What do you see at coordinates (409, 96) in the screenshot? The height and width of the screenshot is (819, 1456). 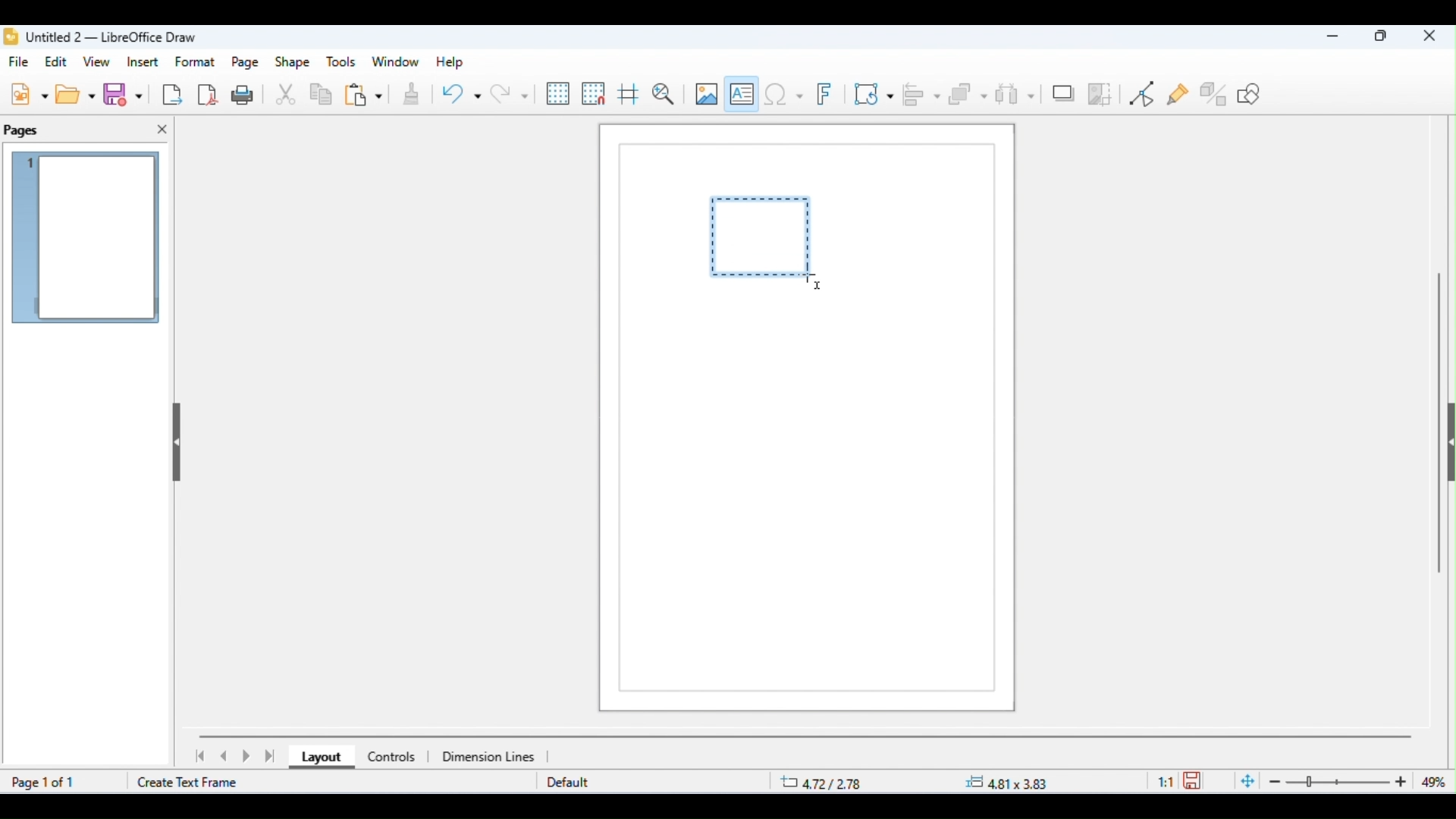 I see `clone` at bounding box center [409, 96].